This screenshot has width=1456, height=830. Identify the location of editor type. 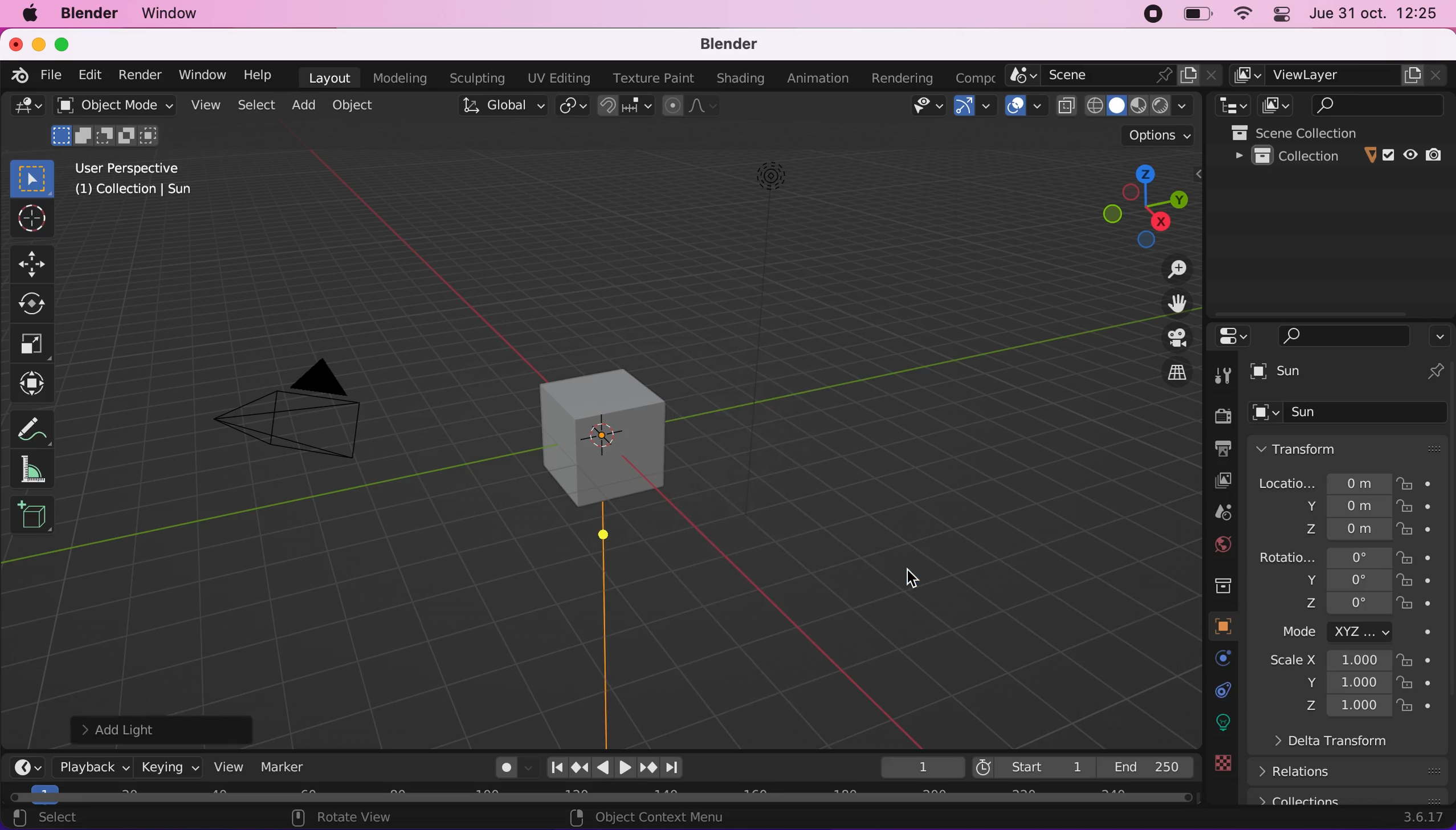
(29, 765).